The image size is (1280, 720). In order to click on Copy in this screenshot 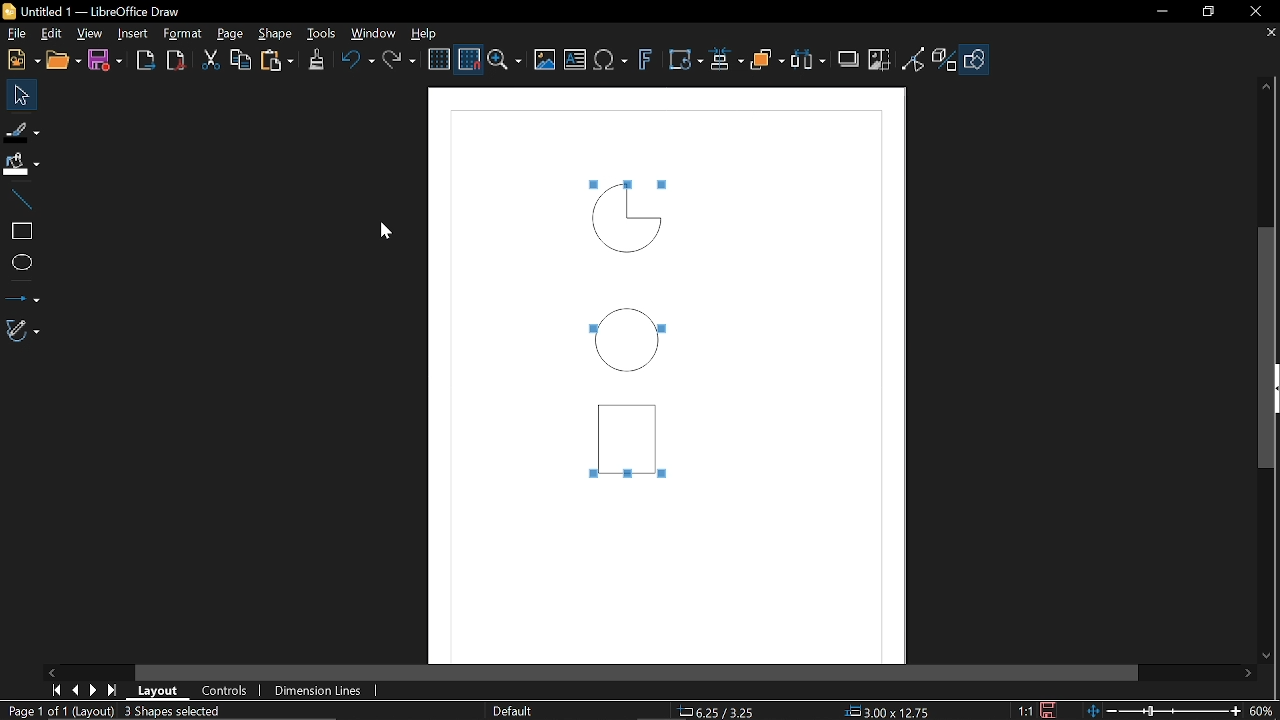, I will do `click(243, 60)`.